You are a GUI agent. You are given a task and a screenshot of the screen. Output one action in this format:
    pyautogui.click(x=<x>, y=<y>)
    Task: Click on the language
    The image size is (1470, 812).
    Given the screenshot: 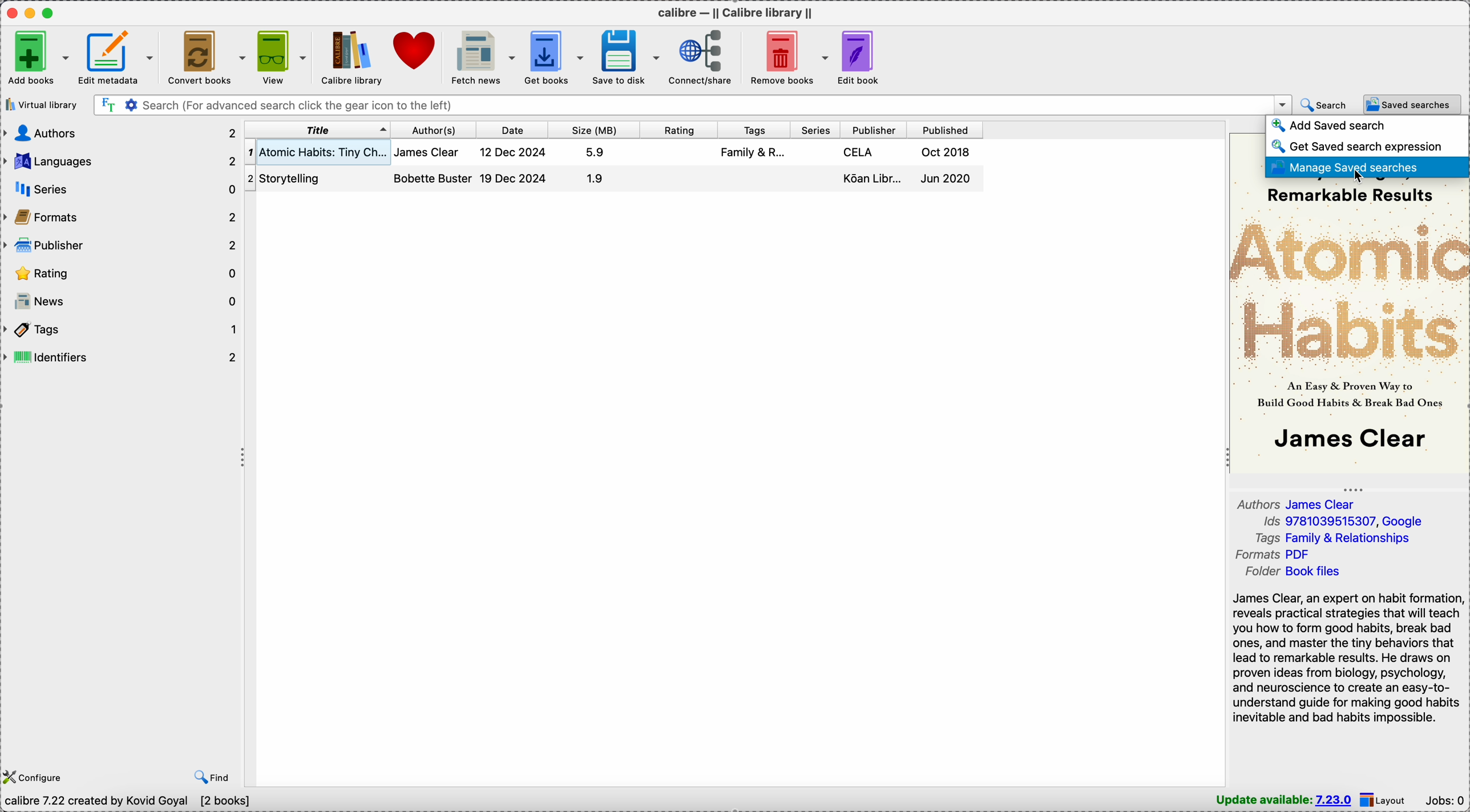 What is the action you would take?
    pyautogui.click(x=122, y=161)
    